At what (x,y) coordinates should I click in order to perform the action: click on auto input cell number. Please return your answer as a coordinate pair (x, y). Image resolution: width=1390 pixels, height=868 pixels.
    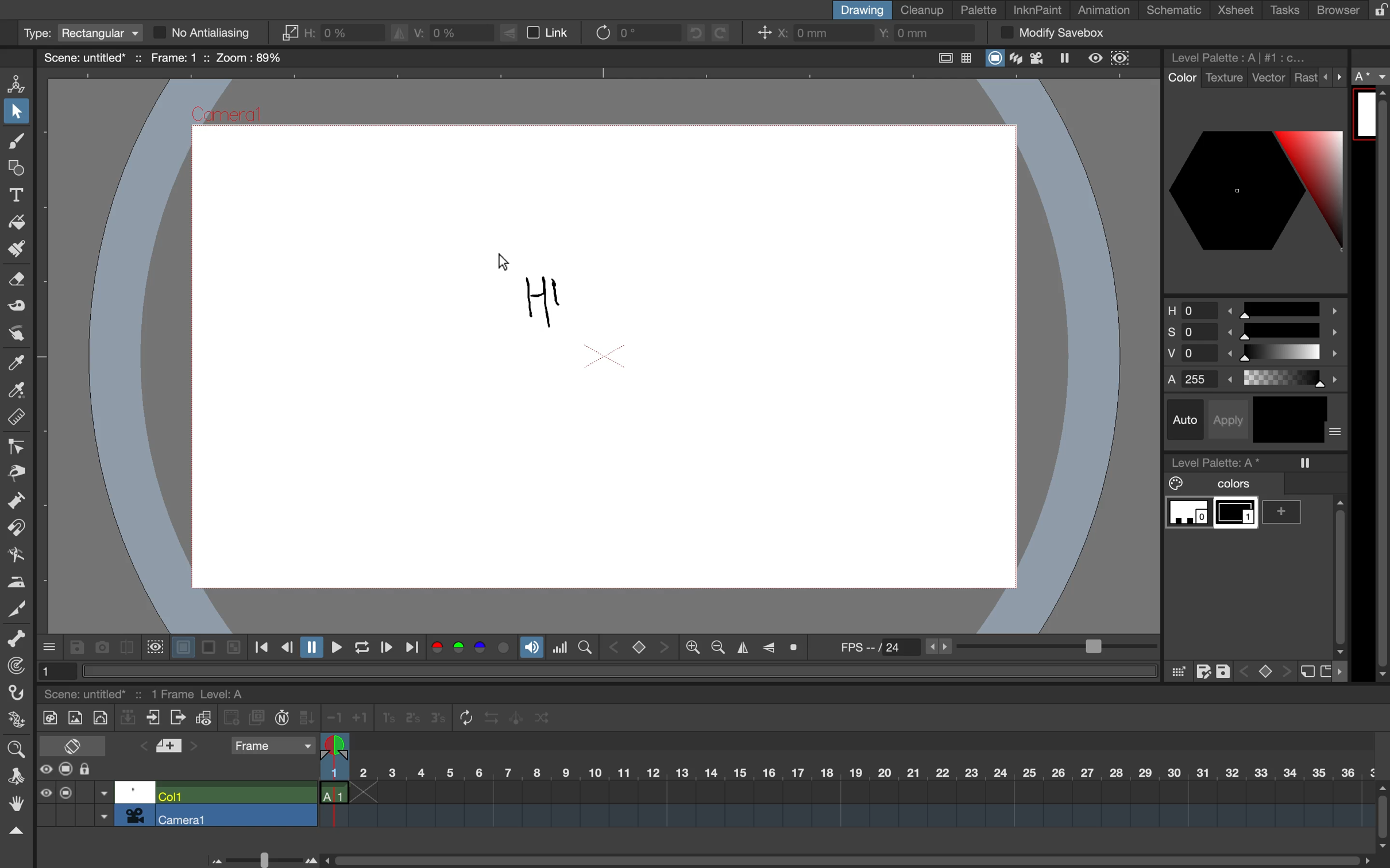
    Looking at the image, I should click on (282, 720).